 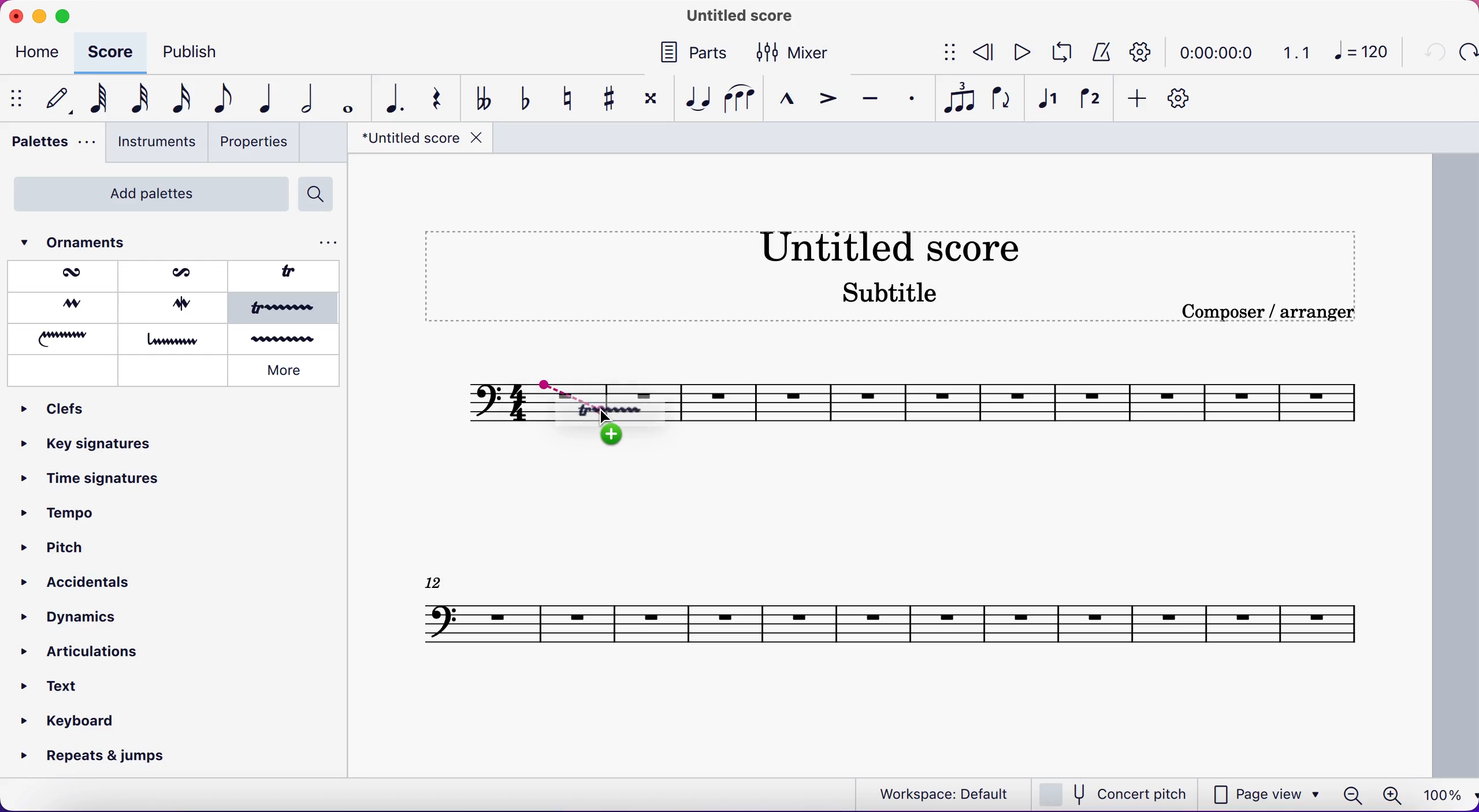 What do you see at coordinates (734, 17) in the screenshot?
I see `title` at bounding box center [734, 17].